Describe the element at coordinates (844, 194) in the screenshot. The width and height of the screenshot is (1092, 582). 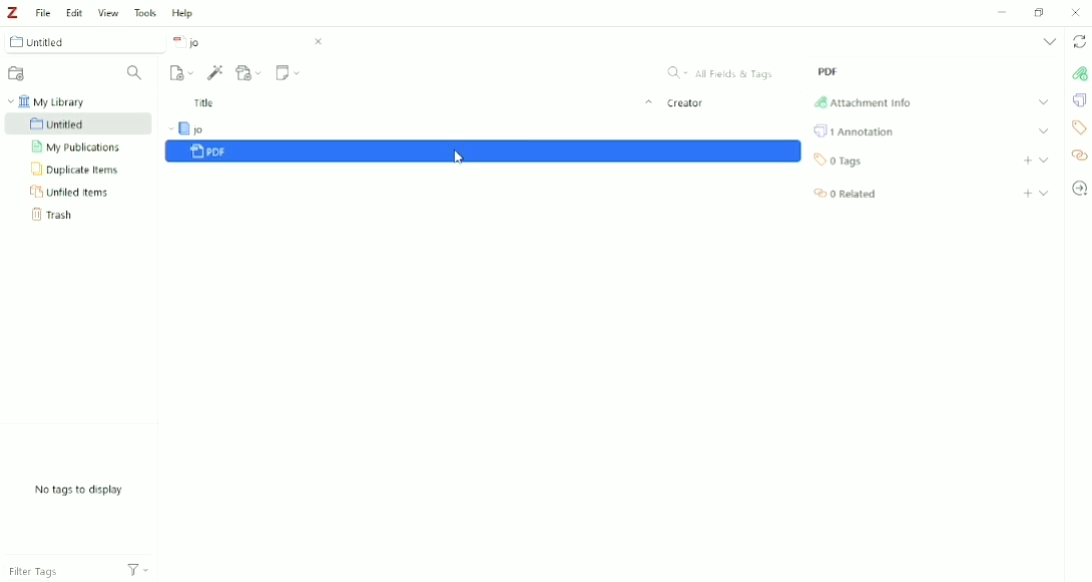
I see `Related` at that location.